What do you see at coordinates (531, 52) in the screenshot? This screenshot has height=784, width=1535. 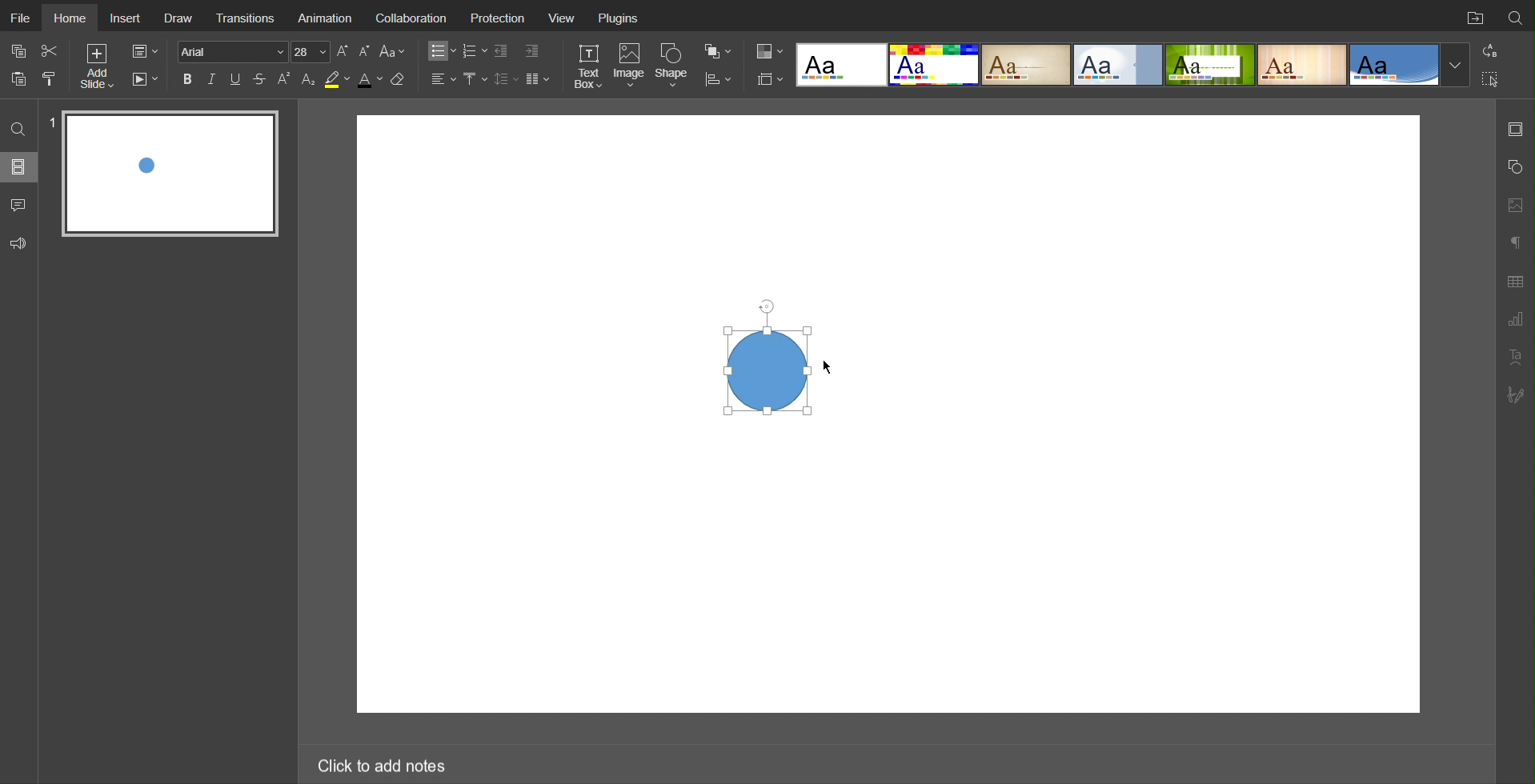 I see `Increase Indent` at bounding box center [531, 52].